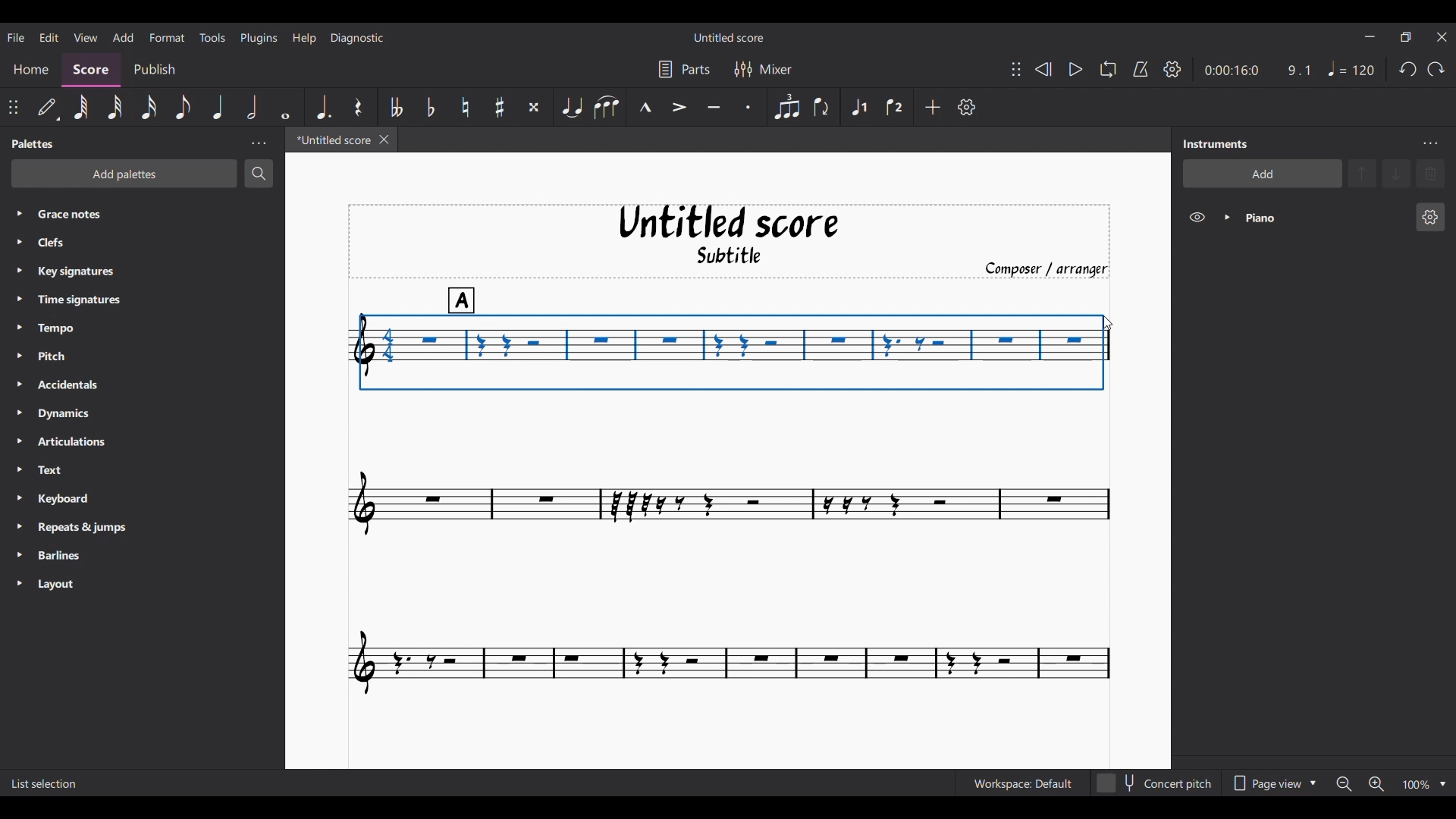  I want to click on Publish section, so click(156, 67).